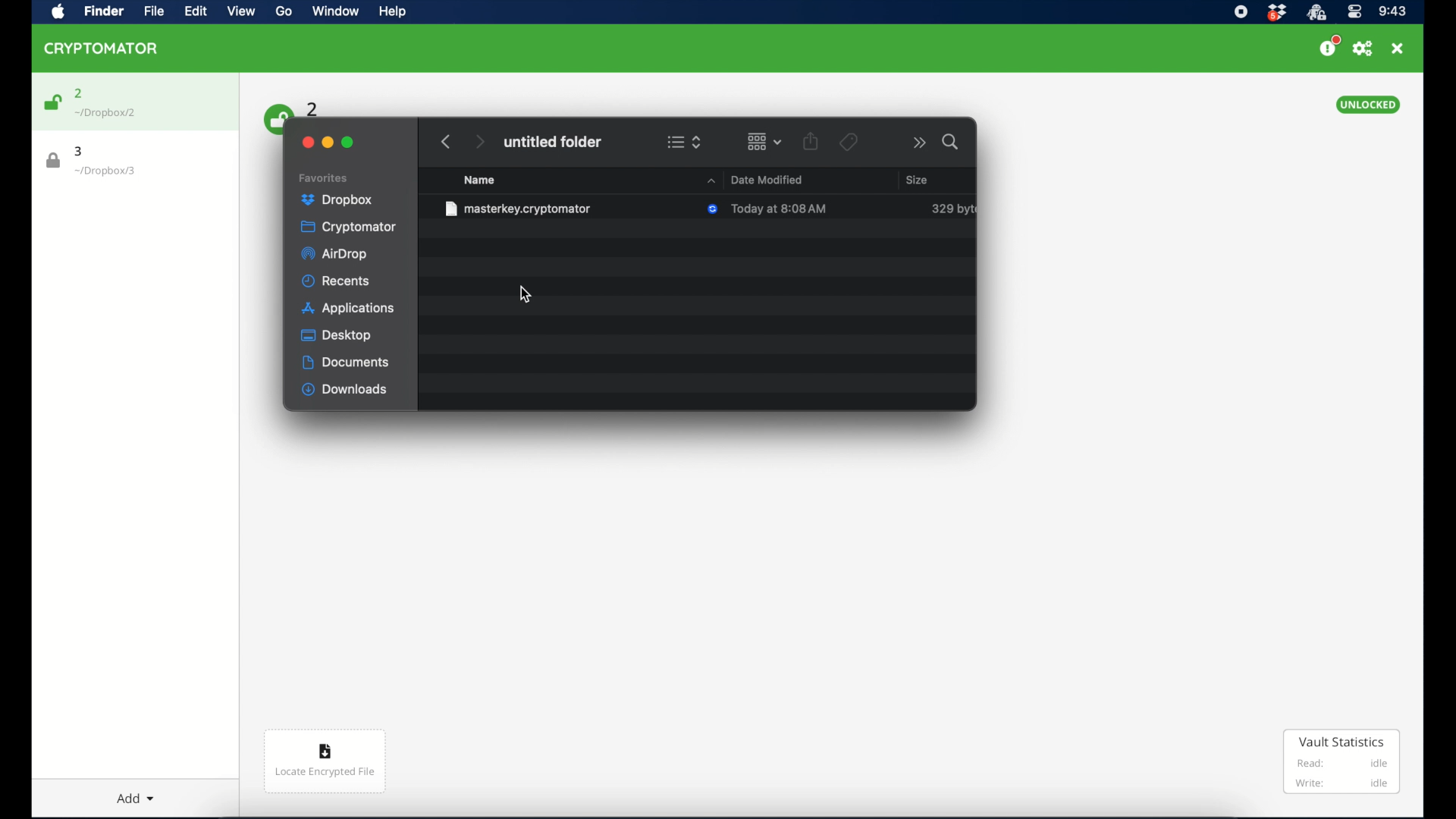 This screenshot has width=1456, height=819. I want to click on applications, so click(348, 309).